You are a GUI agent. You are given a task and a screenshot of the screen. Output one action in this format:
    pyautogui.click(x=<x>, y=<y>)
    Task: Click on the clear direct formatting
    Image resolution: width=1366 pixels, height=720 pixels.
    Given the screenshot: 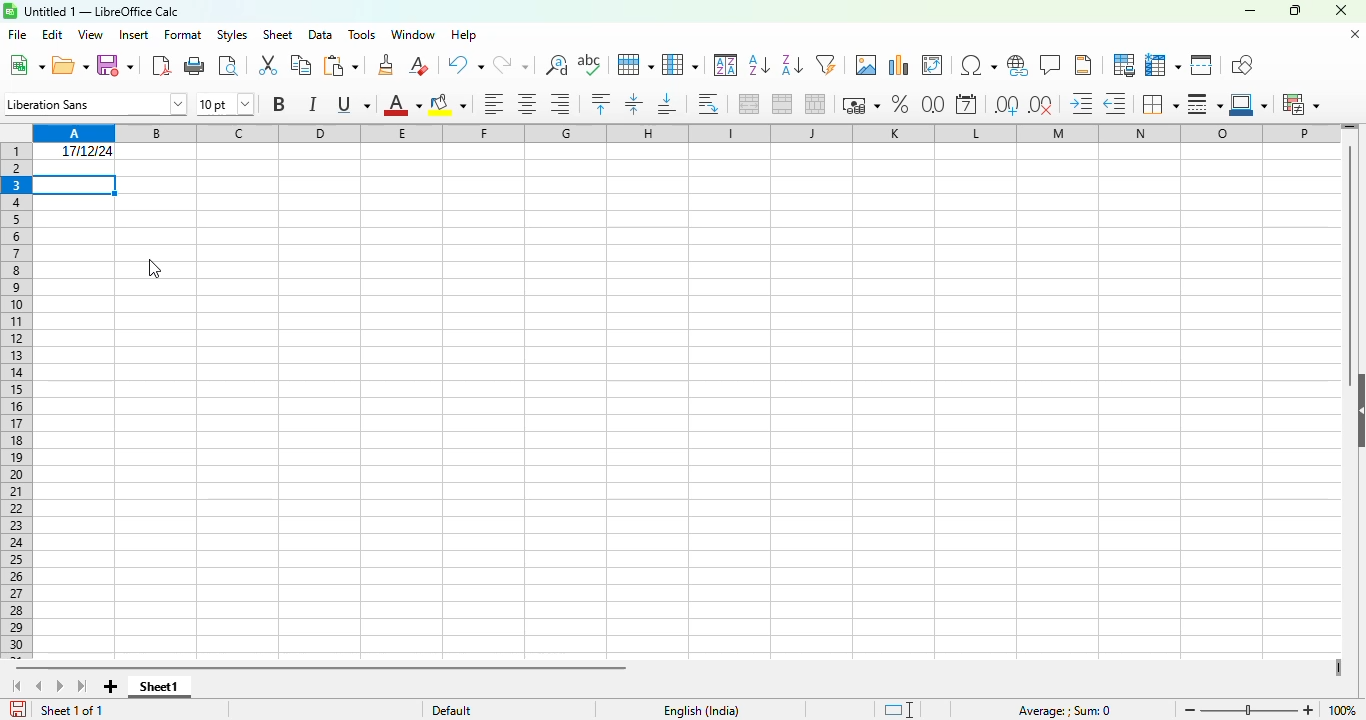 What is the action you would take?
    pyautogui.click(x=418, y=65)
    